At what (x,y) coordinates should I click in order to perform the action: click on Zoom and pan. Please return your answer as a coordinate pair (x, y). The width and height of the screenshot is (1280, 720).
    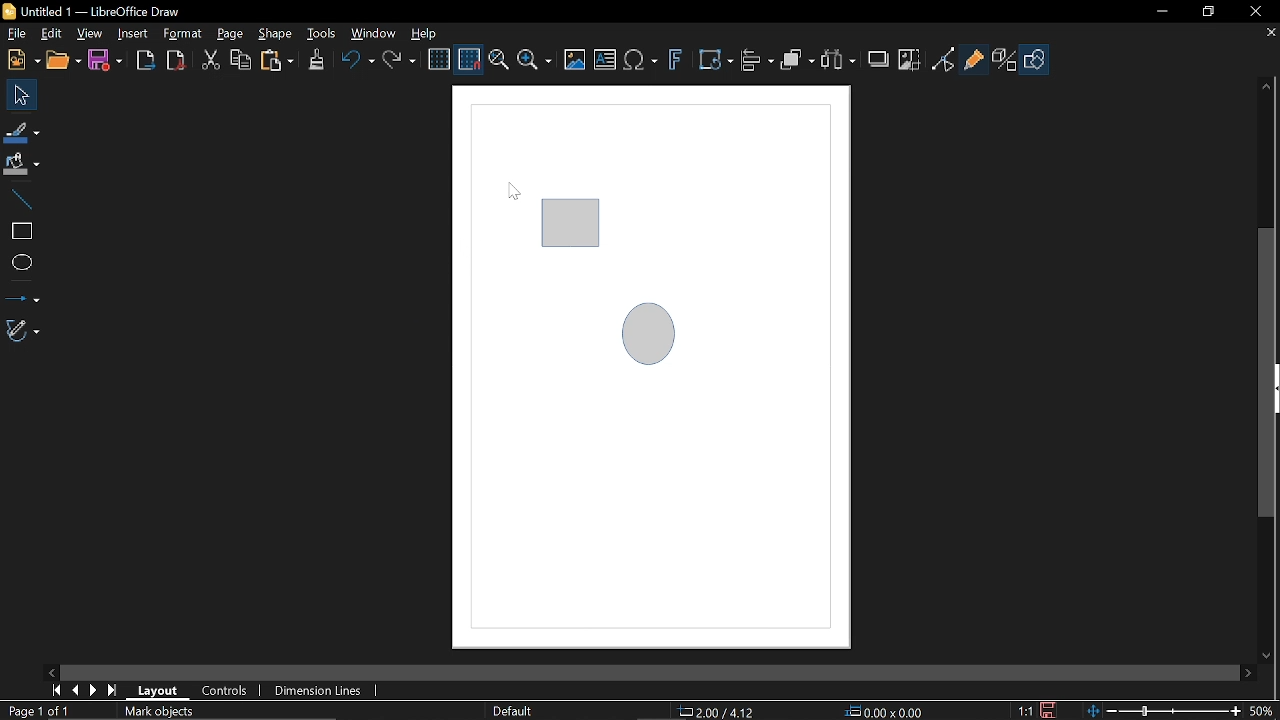
    Looking at the image, I should click on (498, 60).